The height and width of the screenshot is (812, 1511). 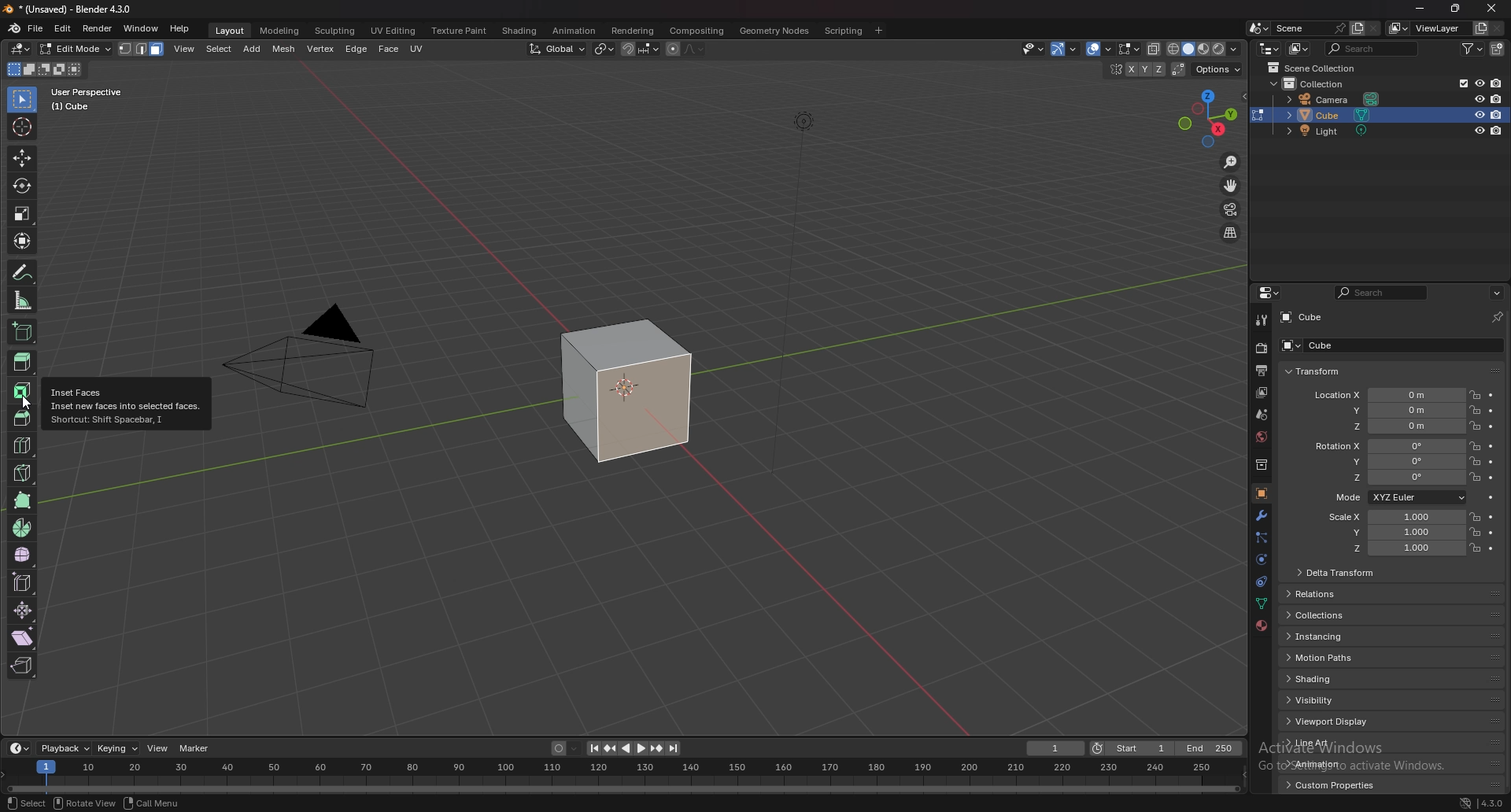 I want to click on rendering, so click(x=634, y=31).